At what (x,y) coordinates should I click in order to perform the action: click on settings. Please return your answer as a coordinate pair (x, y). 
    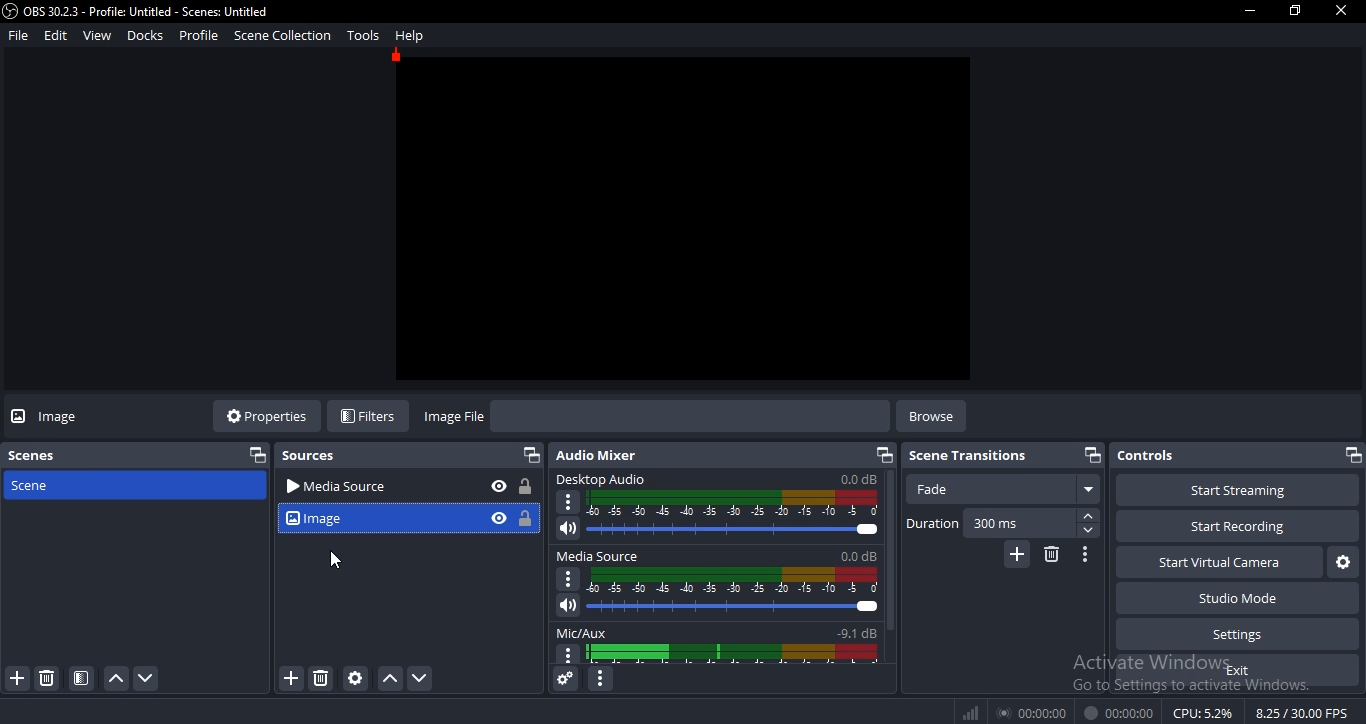
    Looking at the image, I should click on (1231, 635).